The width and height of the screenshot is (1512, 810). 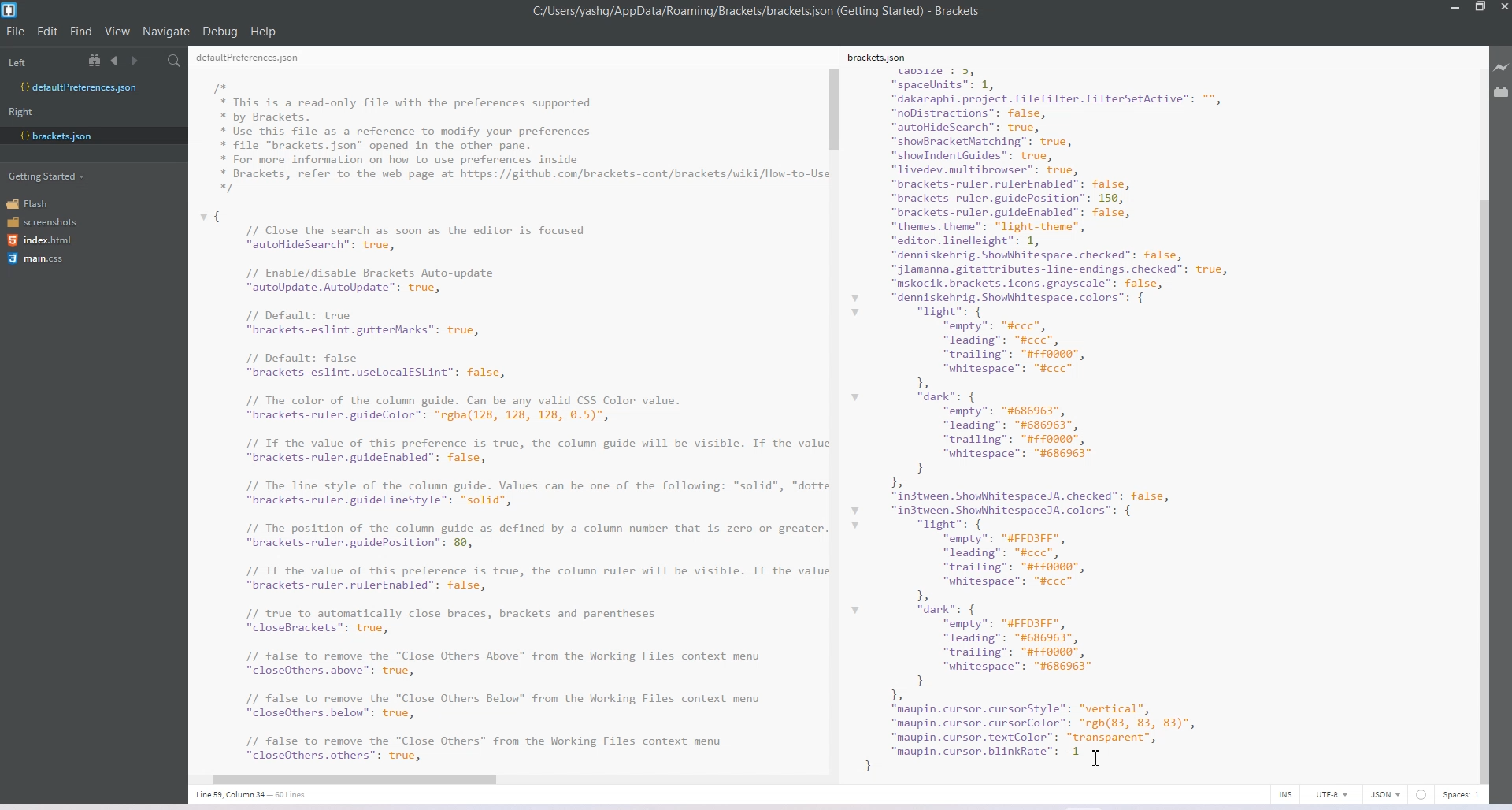 I want to click on main.css, so click(x=35, y=258).